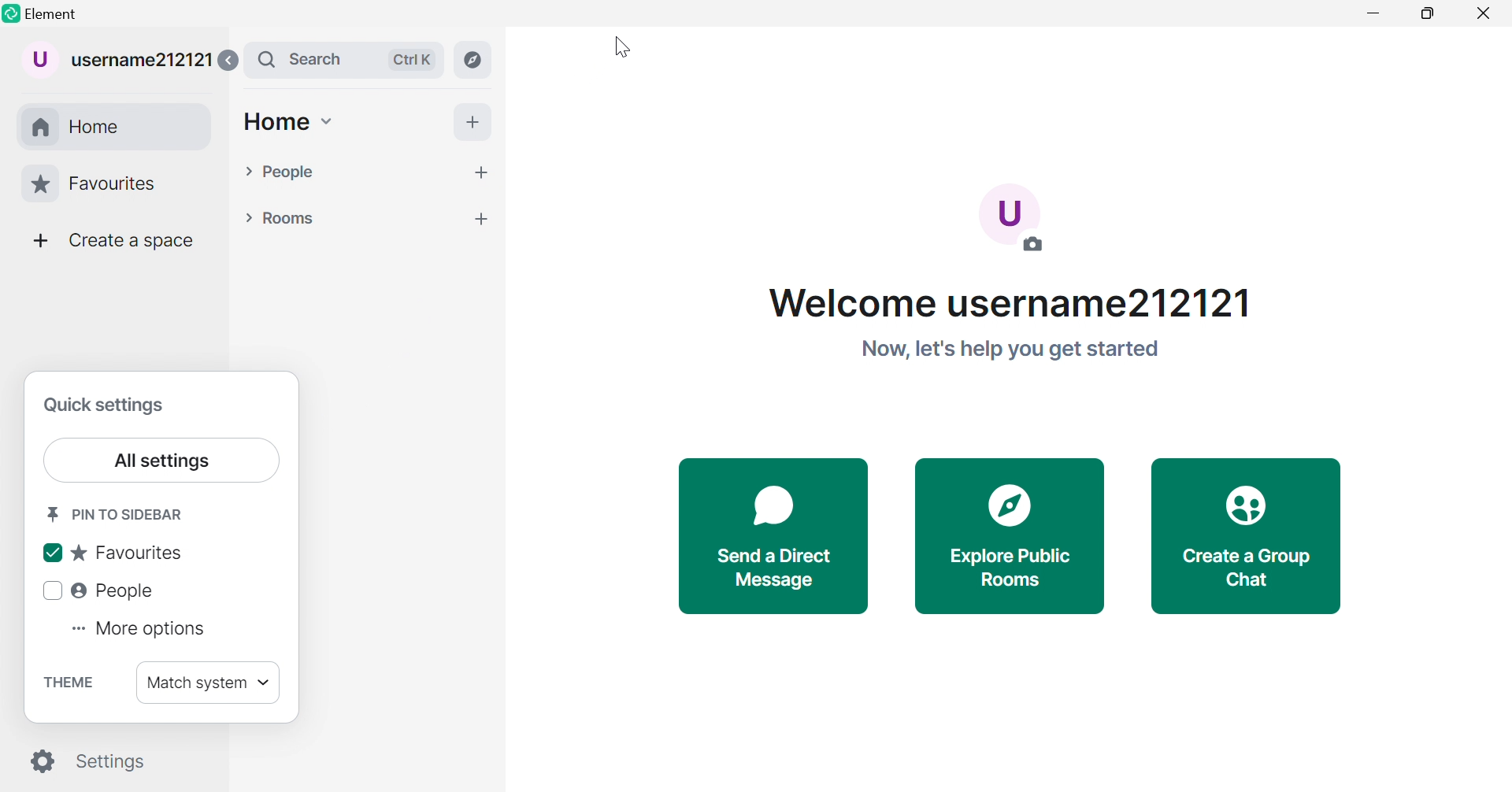 The height and width of the screenshot is (792, 1512). Describe the element at coordinates (162, 460) in the screenshot. I see `All settings` at that location.